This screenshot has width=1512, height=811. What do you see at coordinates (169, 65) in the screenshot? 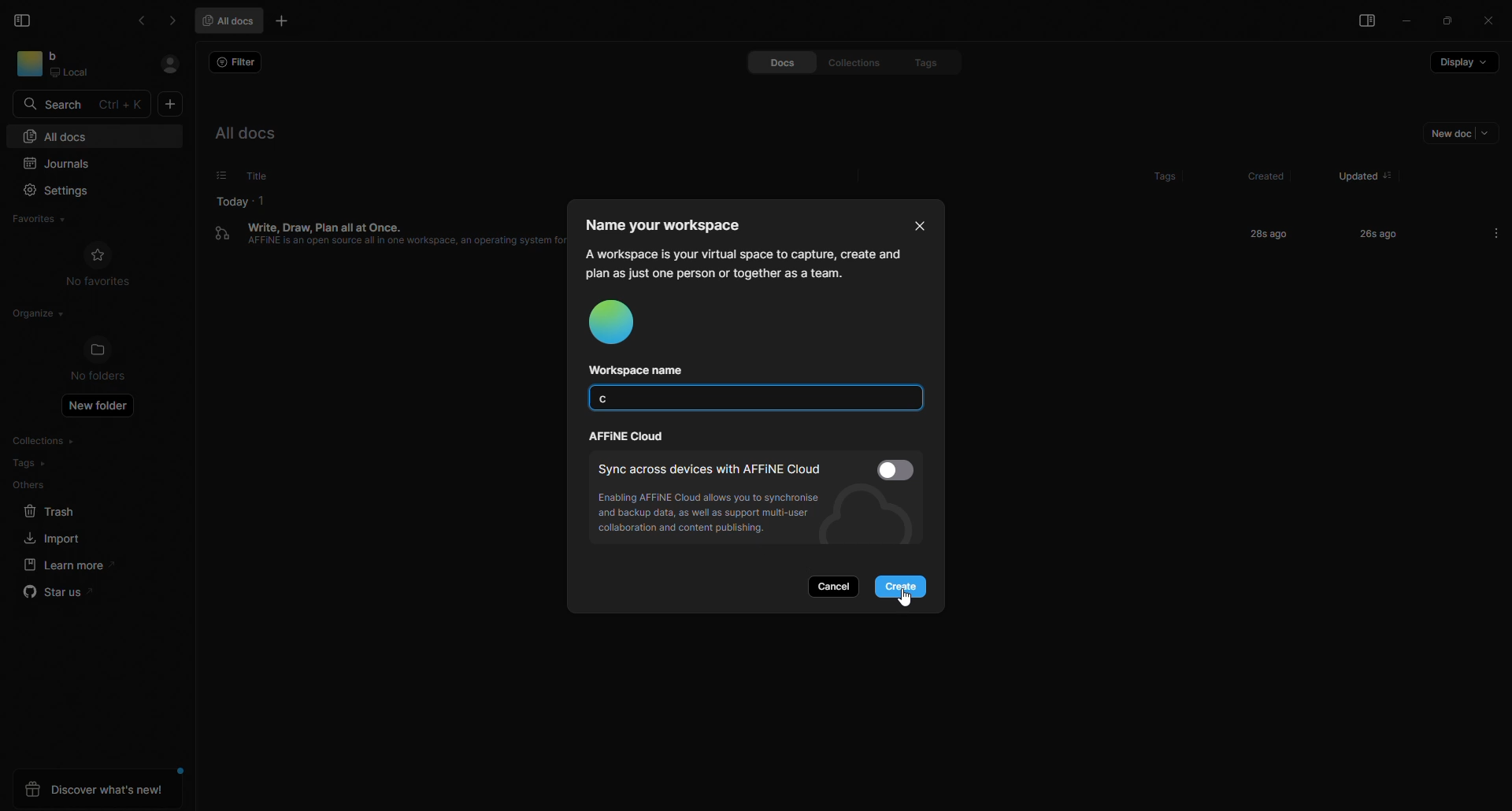
I see `Profile` at bounding box center [169, 65].